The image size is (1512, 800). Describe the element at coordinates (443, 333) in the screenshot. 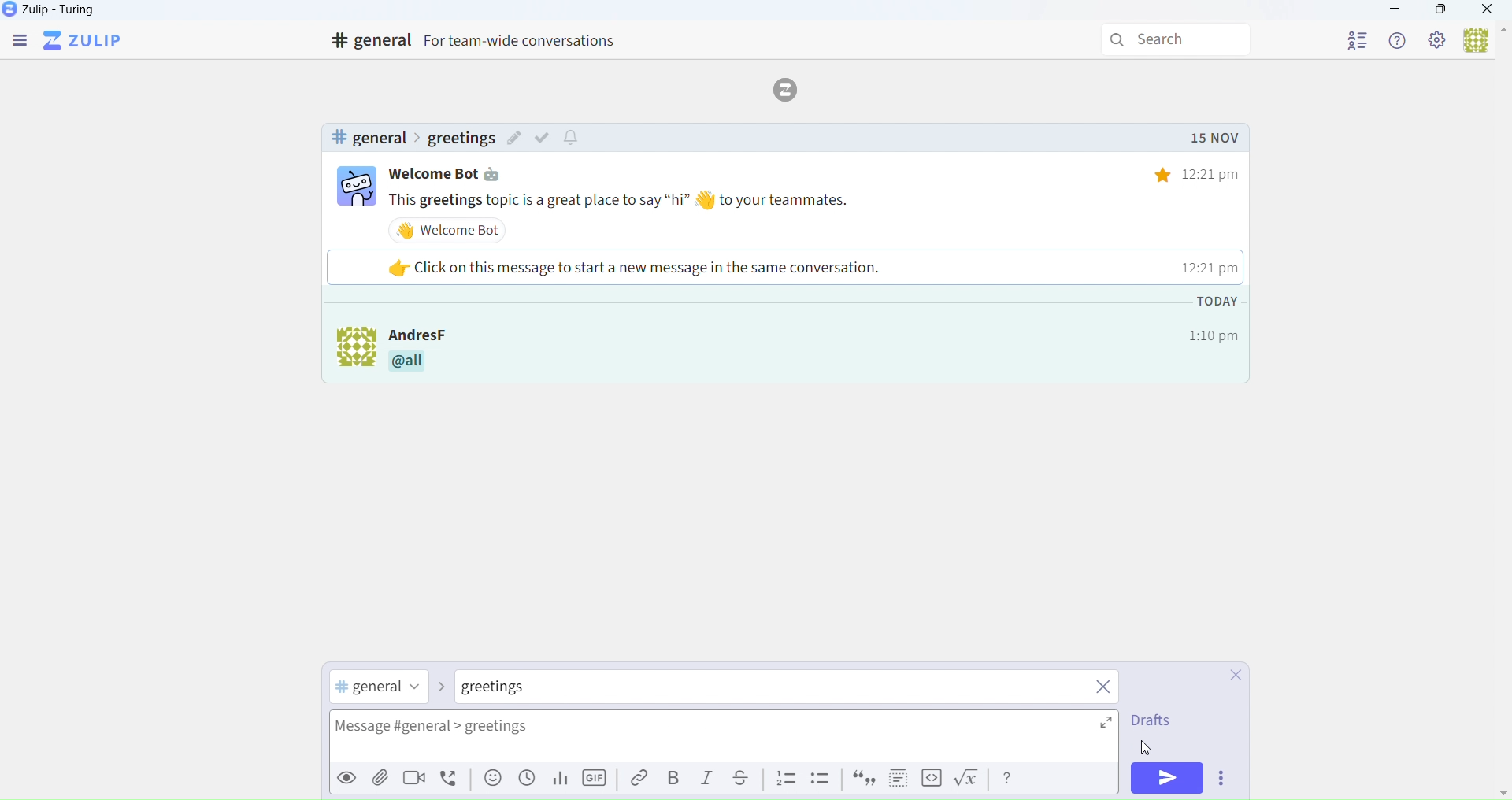

I see `AndresF` at that location.